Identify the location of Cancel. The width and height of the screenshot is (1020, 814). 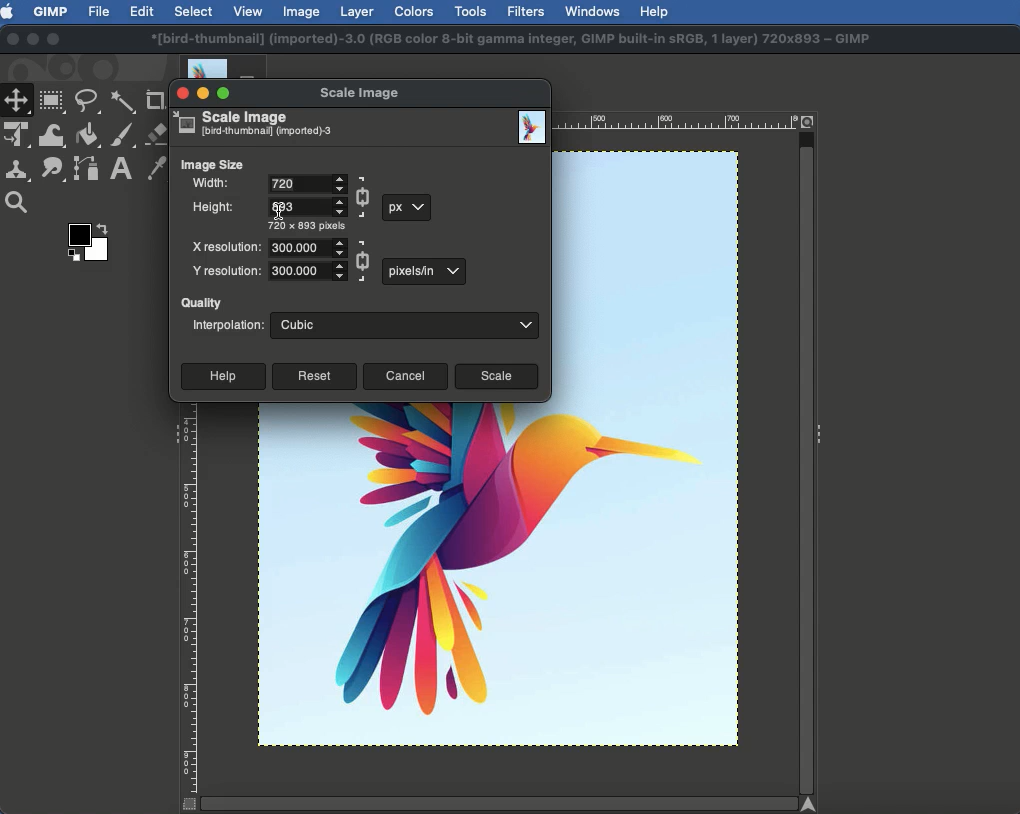
(404, 378).